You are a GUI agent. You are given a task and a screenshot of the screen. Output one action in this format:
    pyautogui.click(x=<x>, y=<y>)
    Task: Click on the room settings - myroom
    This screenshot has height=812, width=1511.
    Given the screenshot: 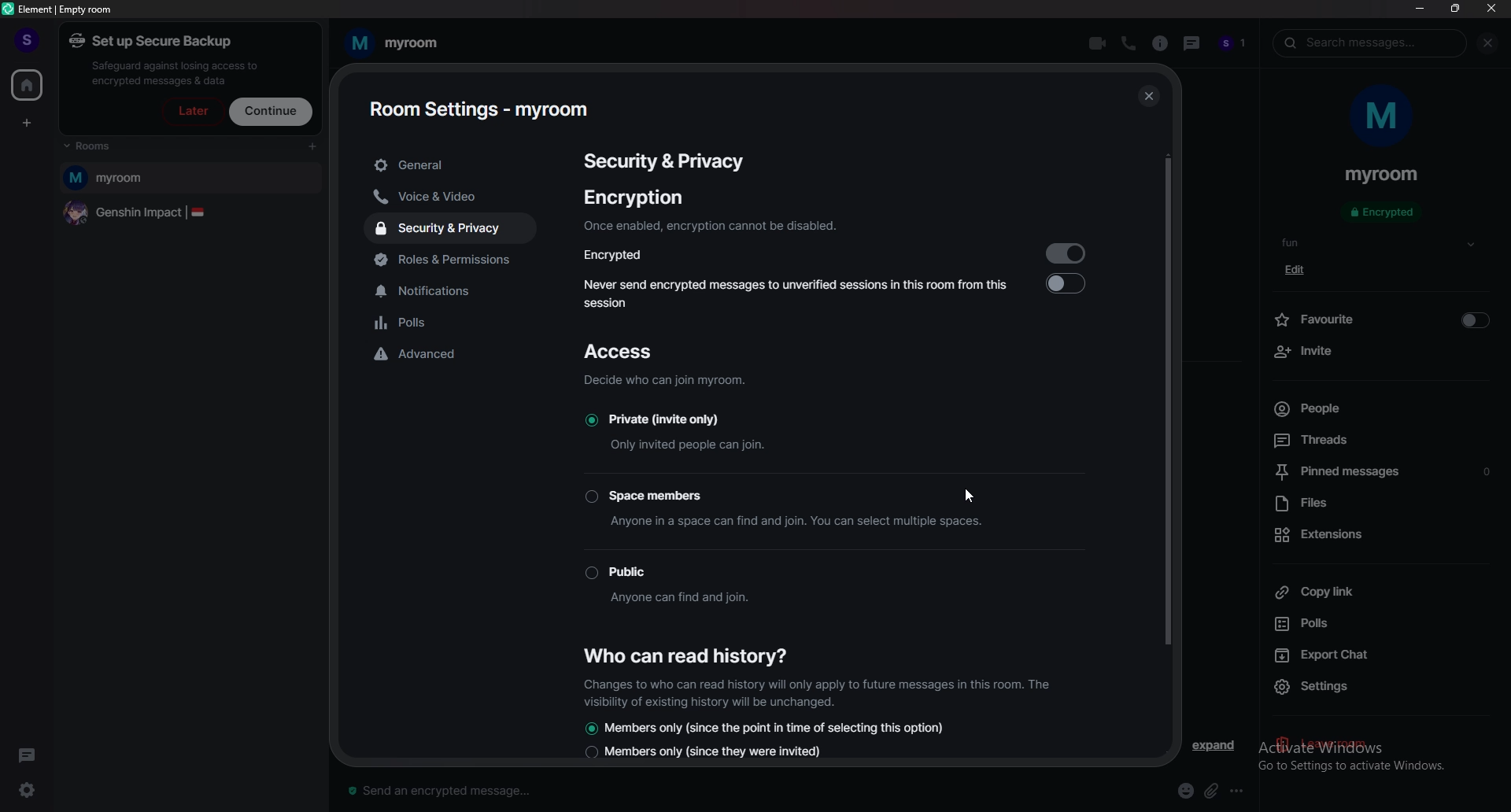 What is the action you would take?
    pyautogui.click(x=481, y=107)
    